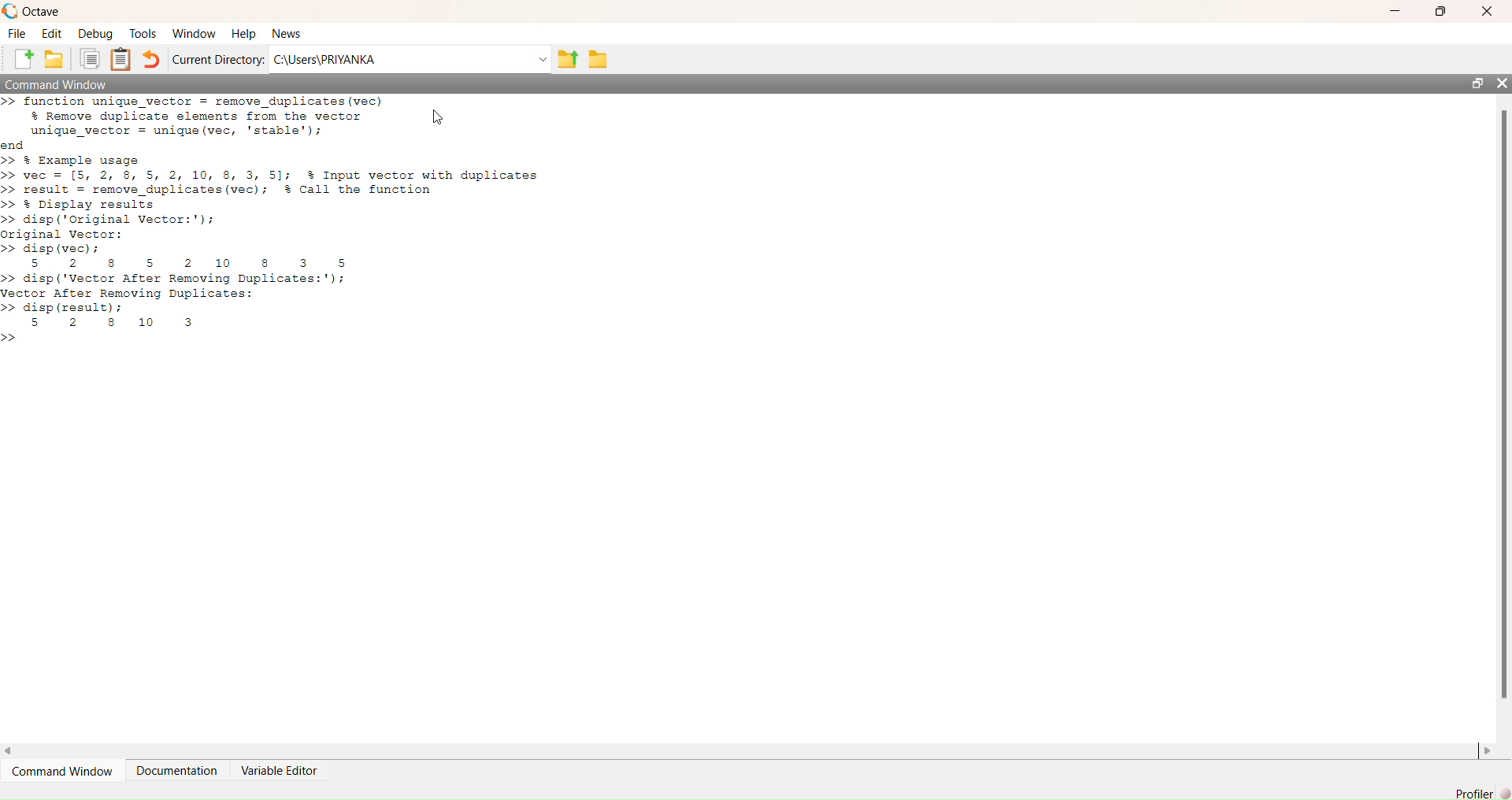  I want to click on Clipboard , so click(121, 59).